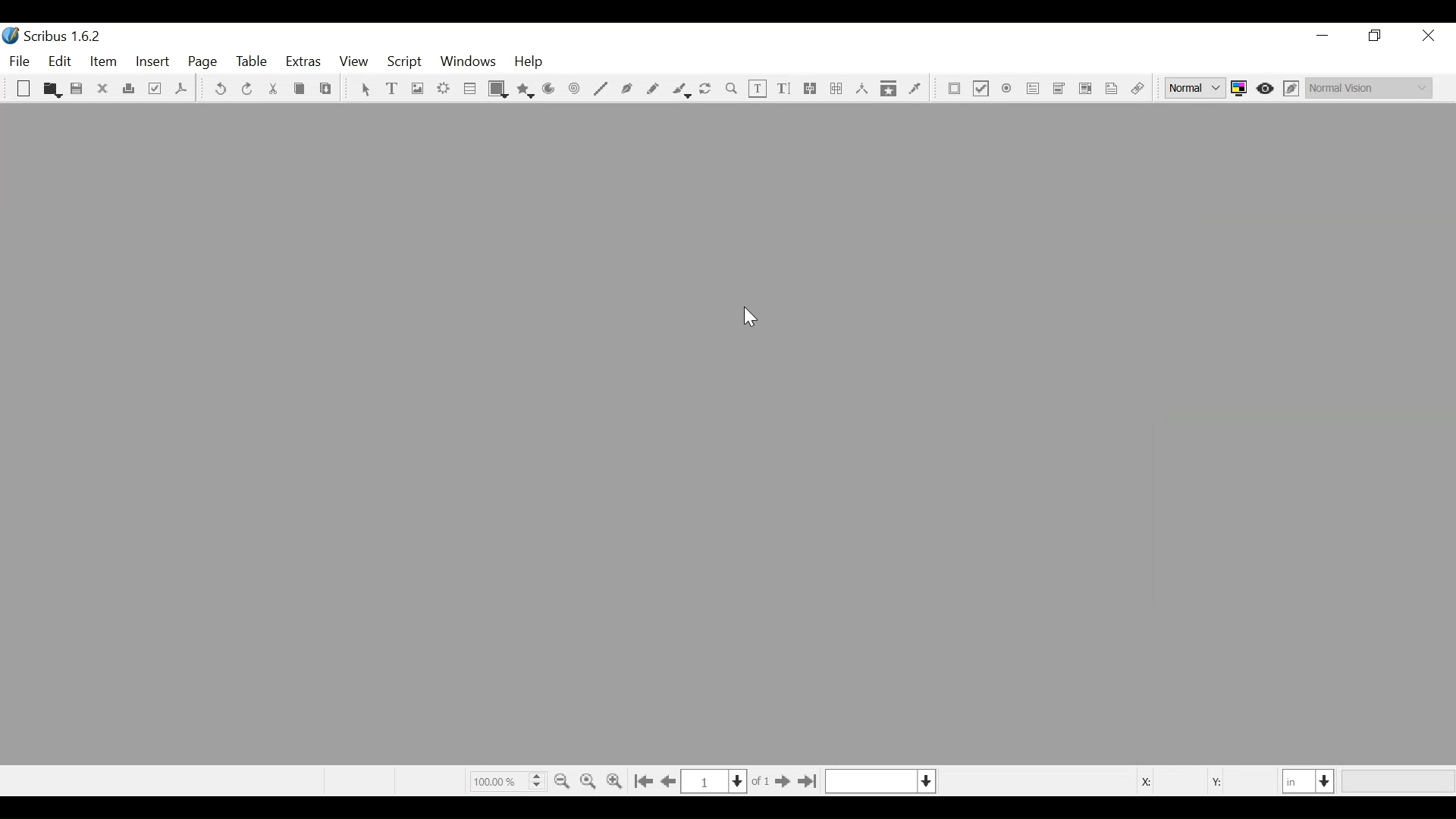  What do you see at coordinates (836, 89) in the screenshot?
I see `Unlink Text frame` at bounding box center [836, 89].